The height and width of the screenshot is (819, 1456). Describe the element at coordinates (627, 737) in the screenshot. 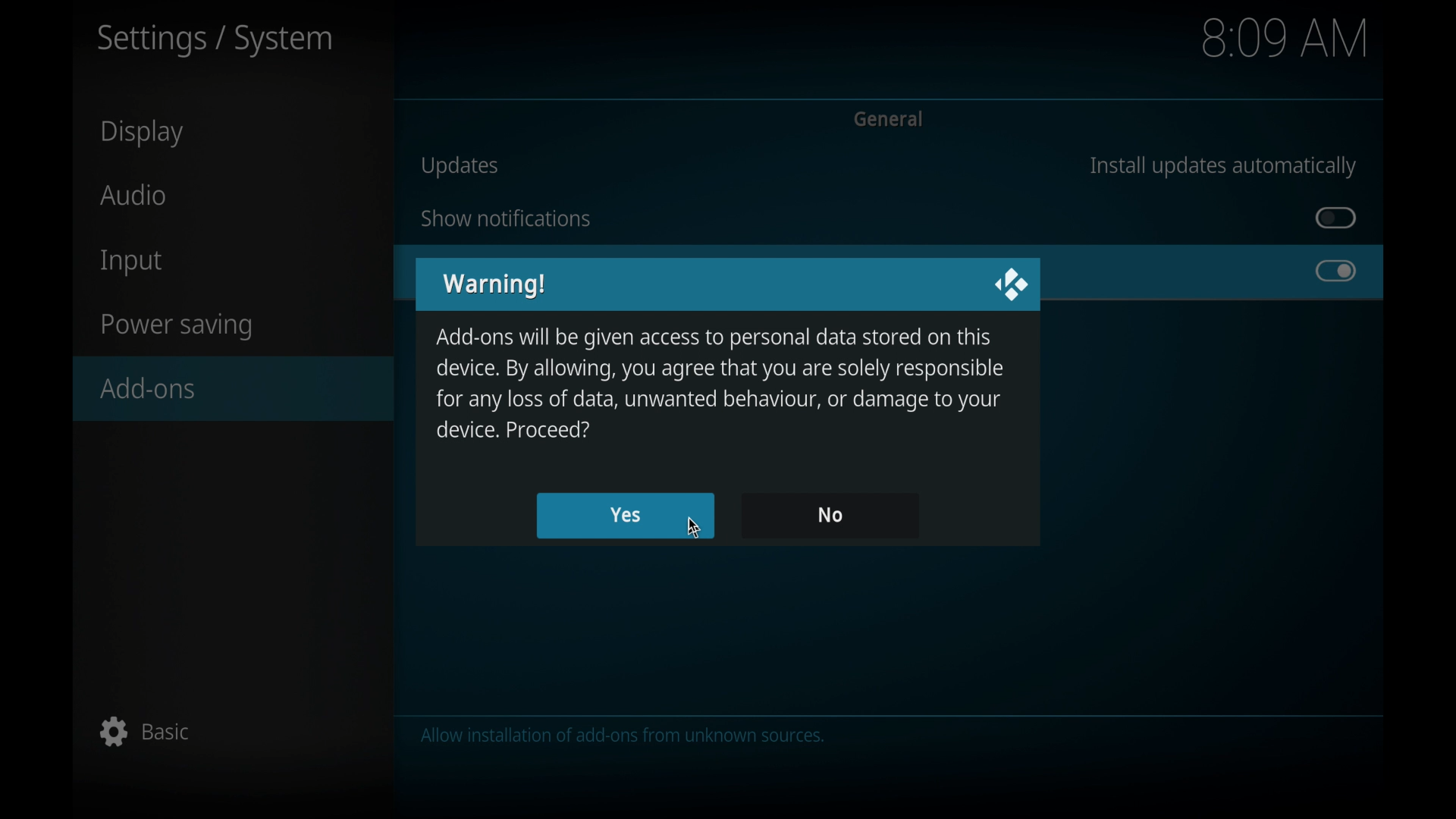

I see `this category contains settings for the add-on system` at that location.